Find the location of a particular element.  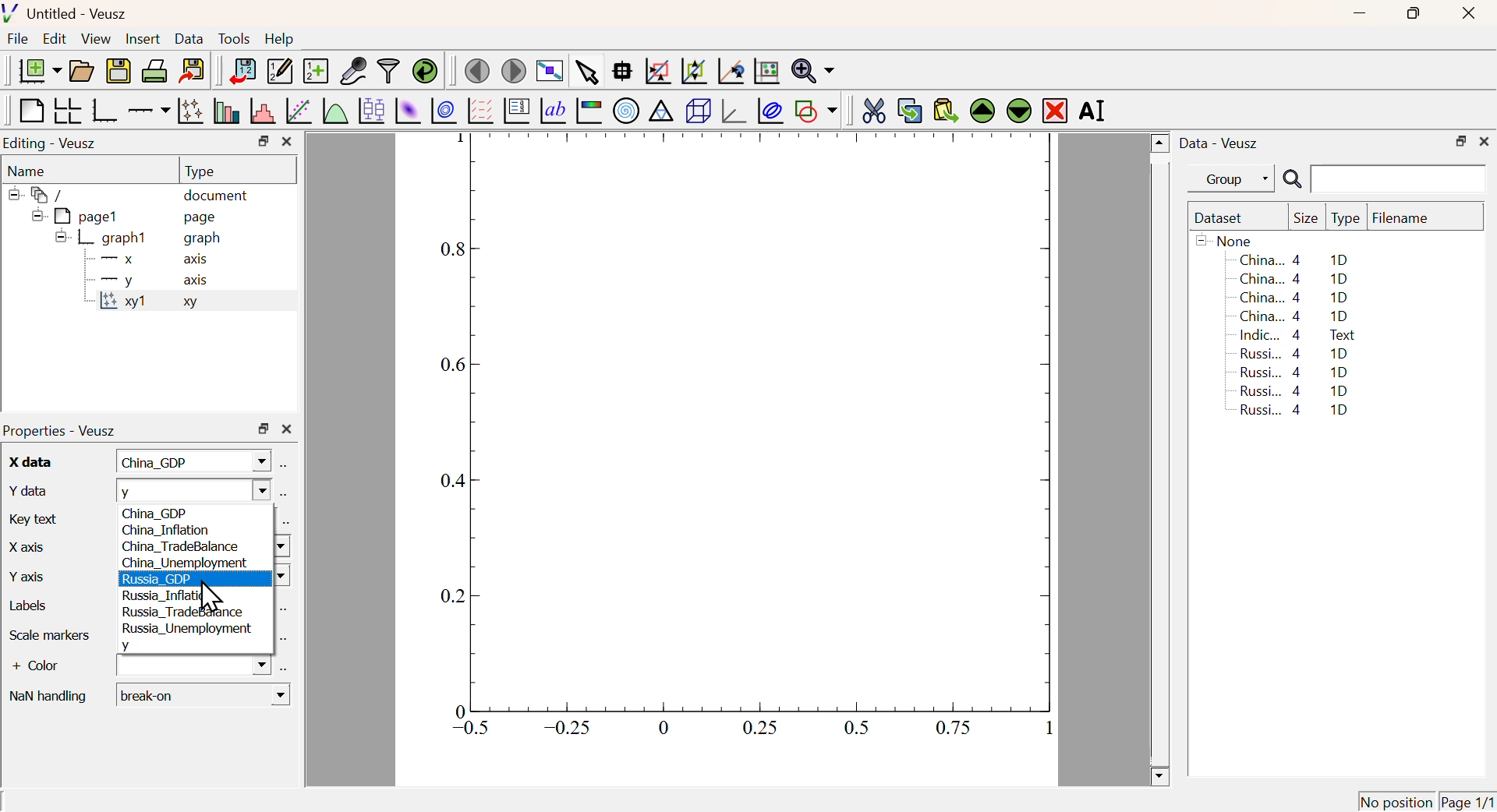

Restore Down is located at coordinates (263, 141).